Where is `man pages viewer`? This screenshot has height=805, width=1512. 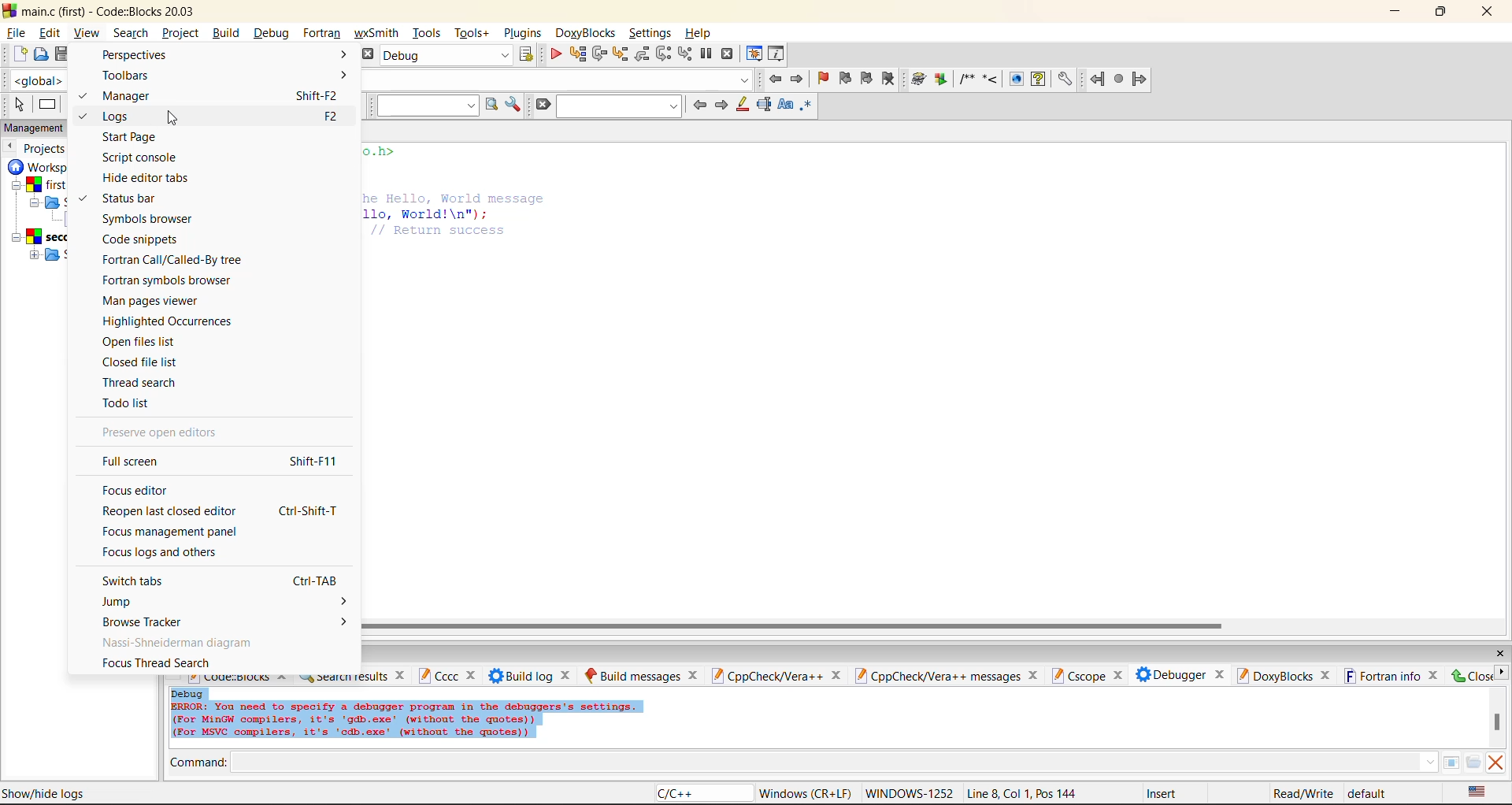
man pages viewer is located at coordinates (150, 302).